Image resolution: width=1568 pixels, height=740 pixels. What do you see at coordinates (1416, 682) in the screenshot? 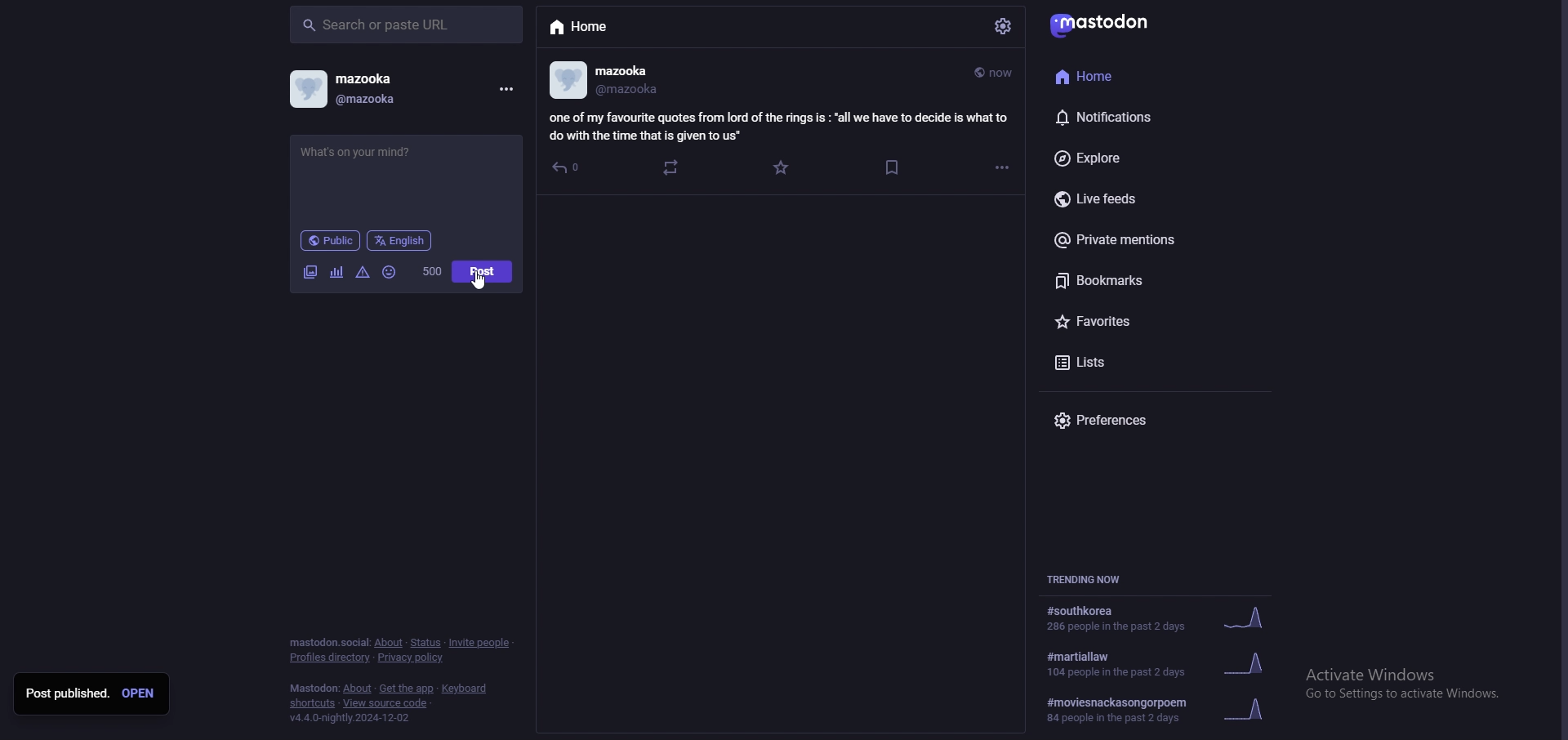
I see `Windows activation prompt` at bounding box center [1416, 682].